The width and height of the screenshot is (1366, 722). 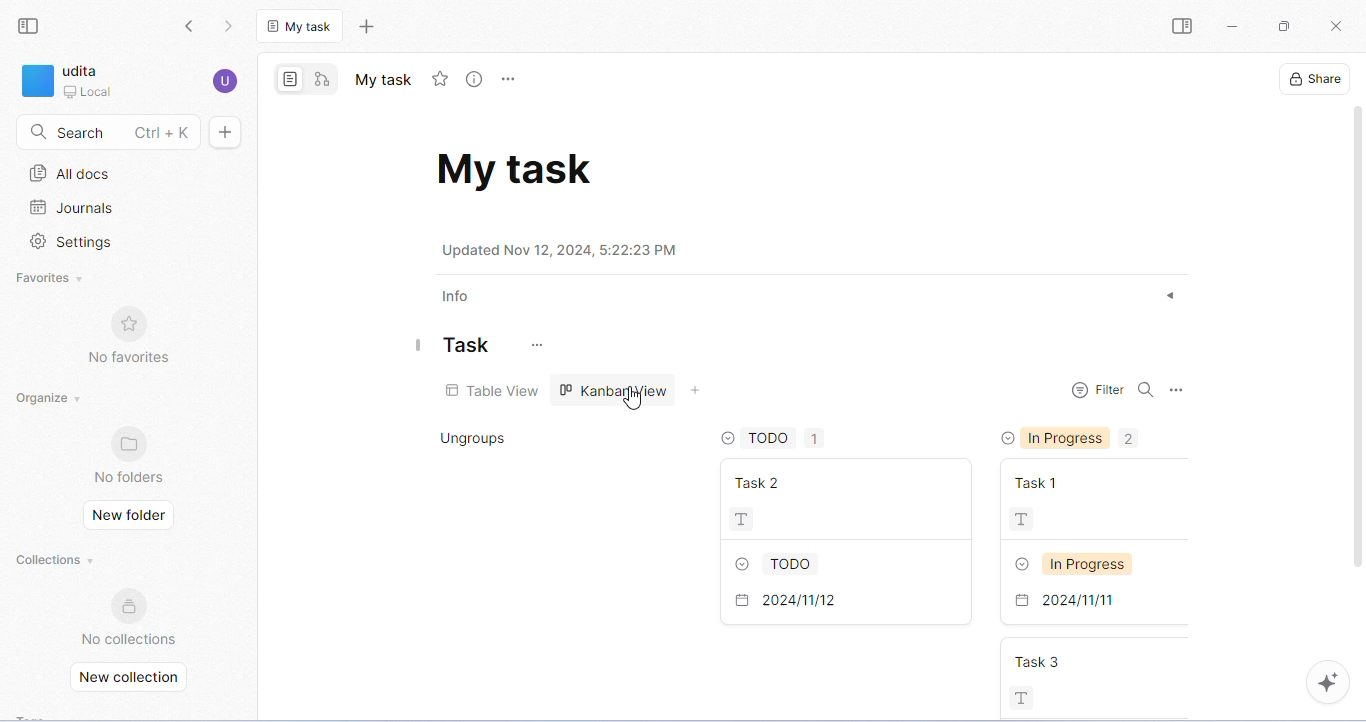 I want to click on favorite, so click(x=442, y=79).